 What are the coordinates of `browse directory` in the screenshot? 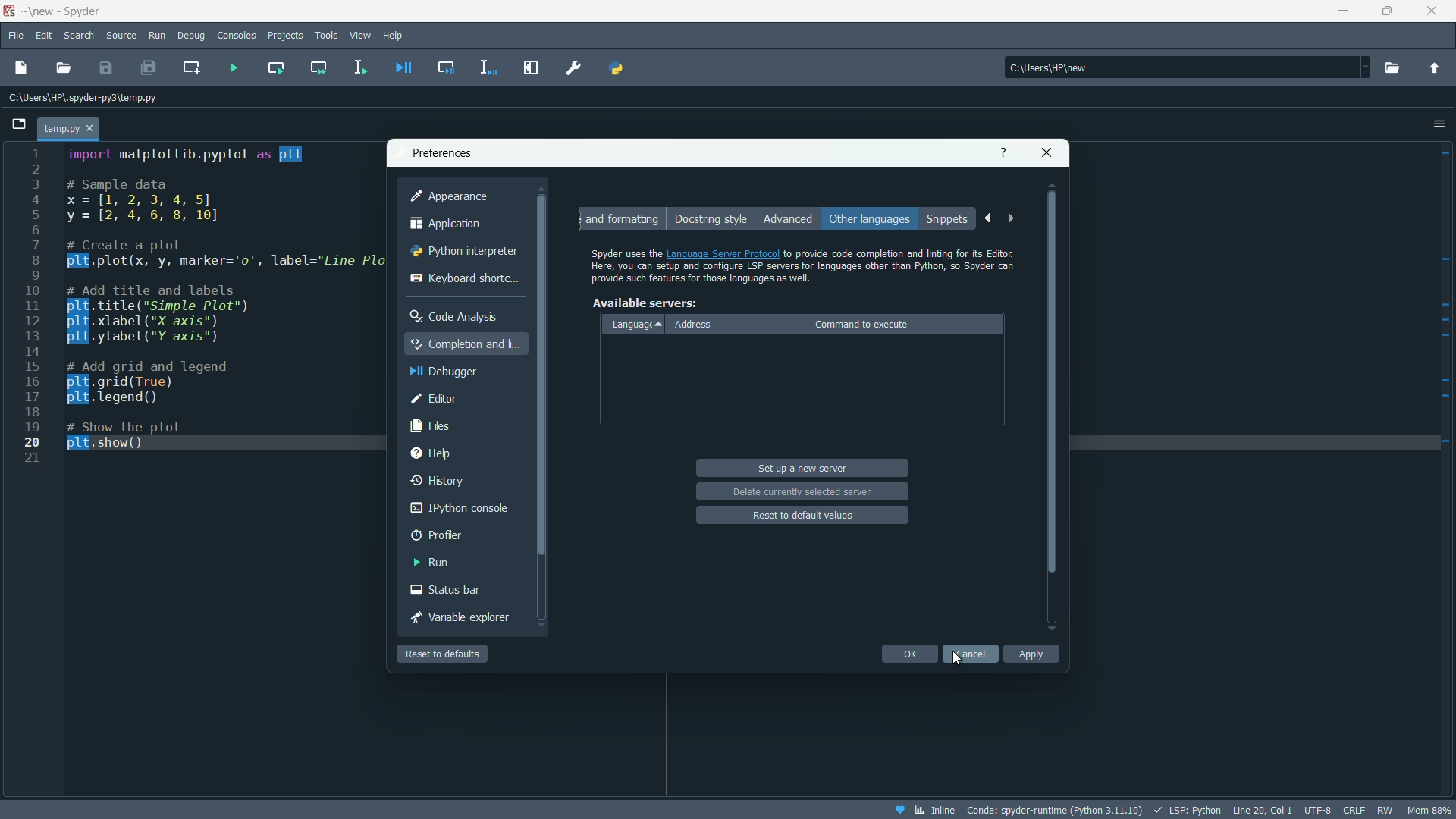 It's located at (1392, 67).